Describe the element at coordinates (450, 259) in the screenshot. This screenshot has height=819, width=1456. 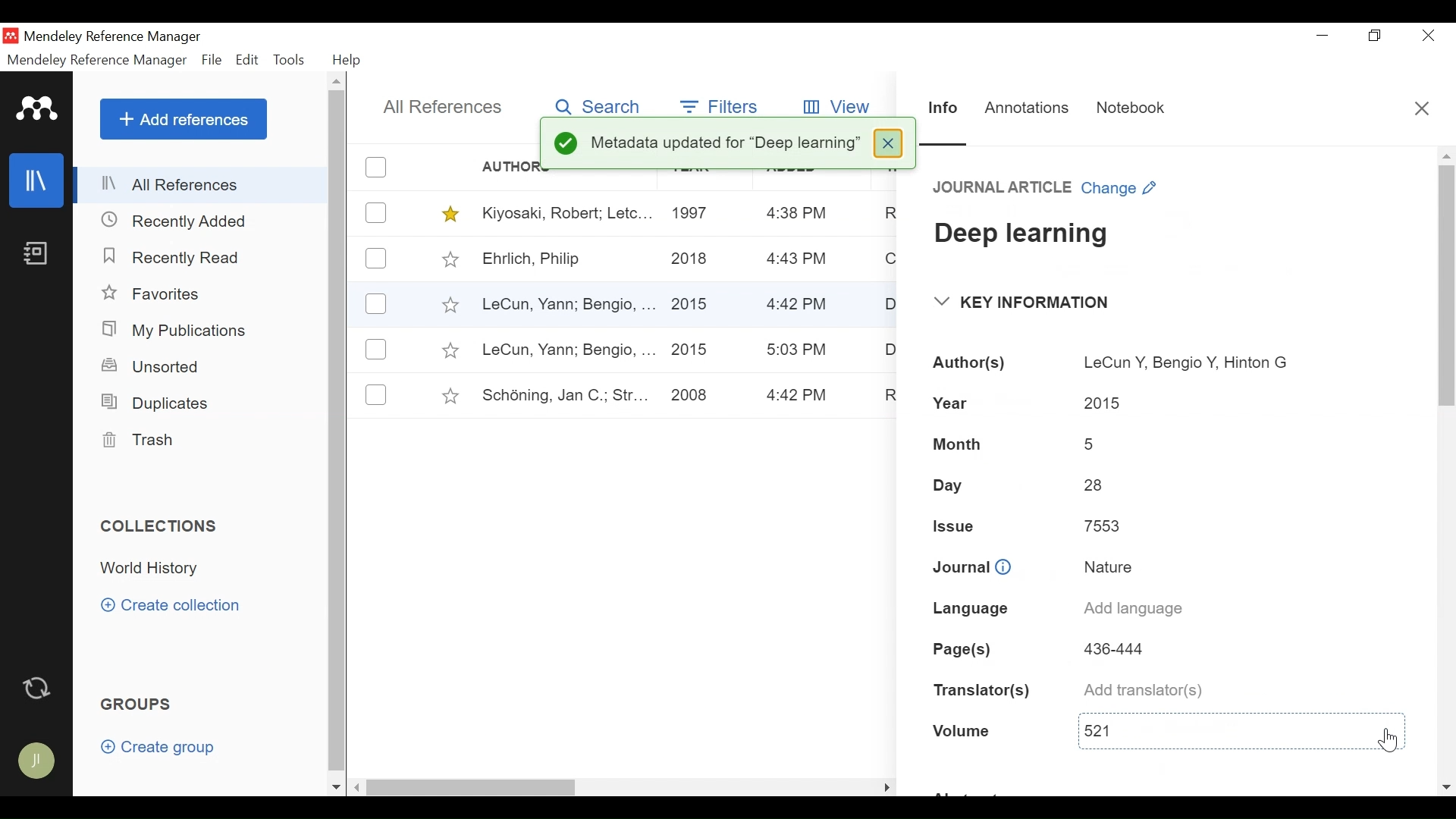
I see `Toggle Favorites` at that location.